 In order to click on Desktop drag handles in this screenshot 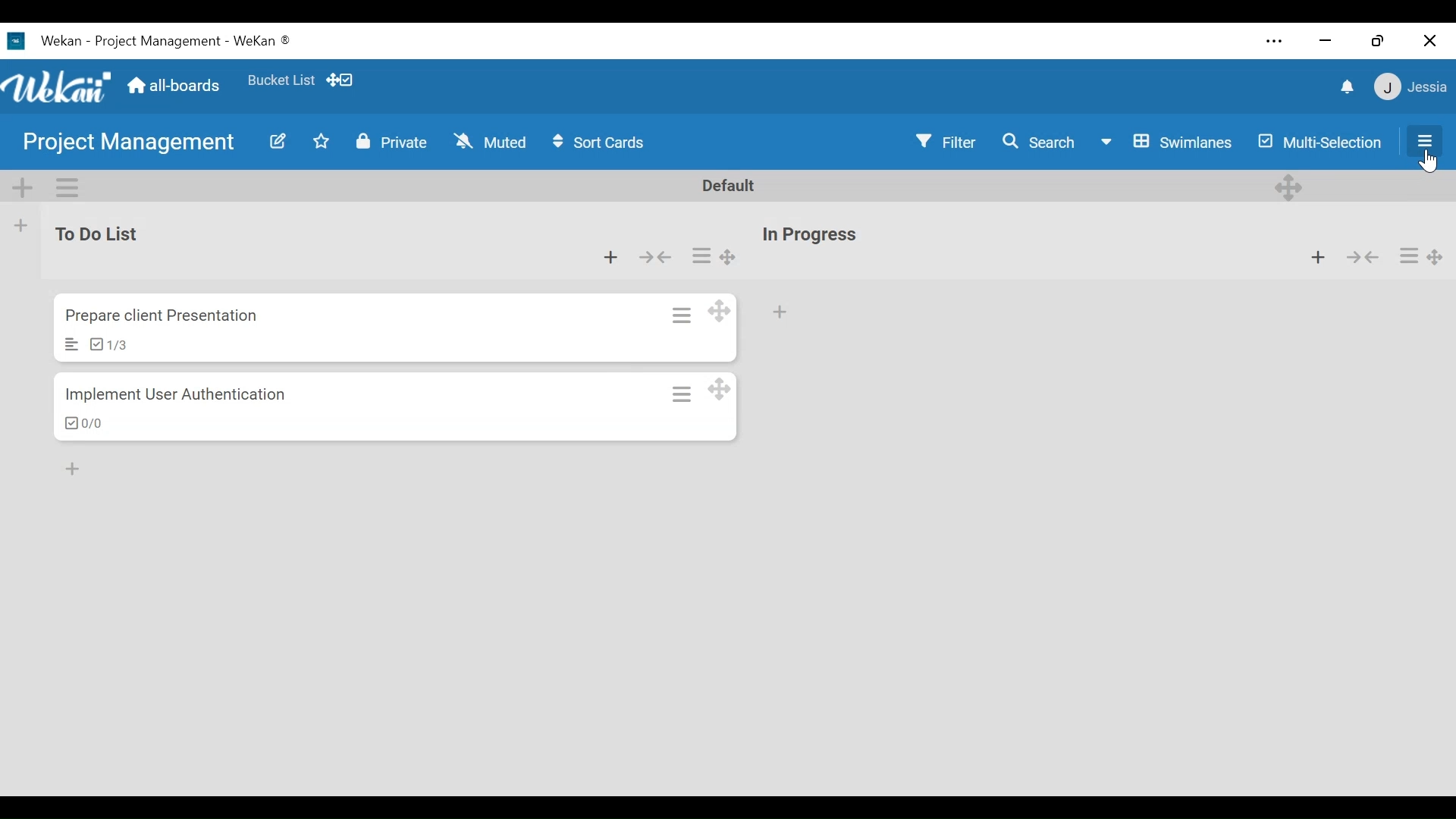, I will do `click(718, 311)`.